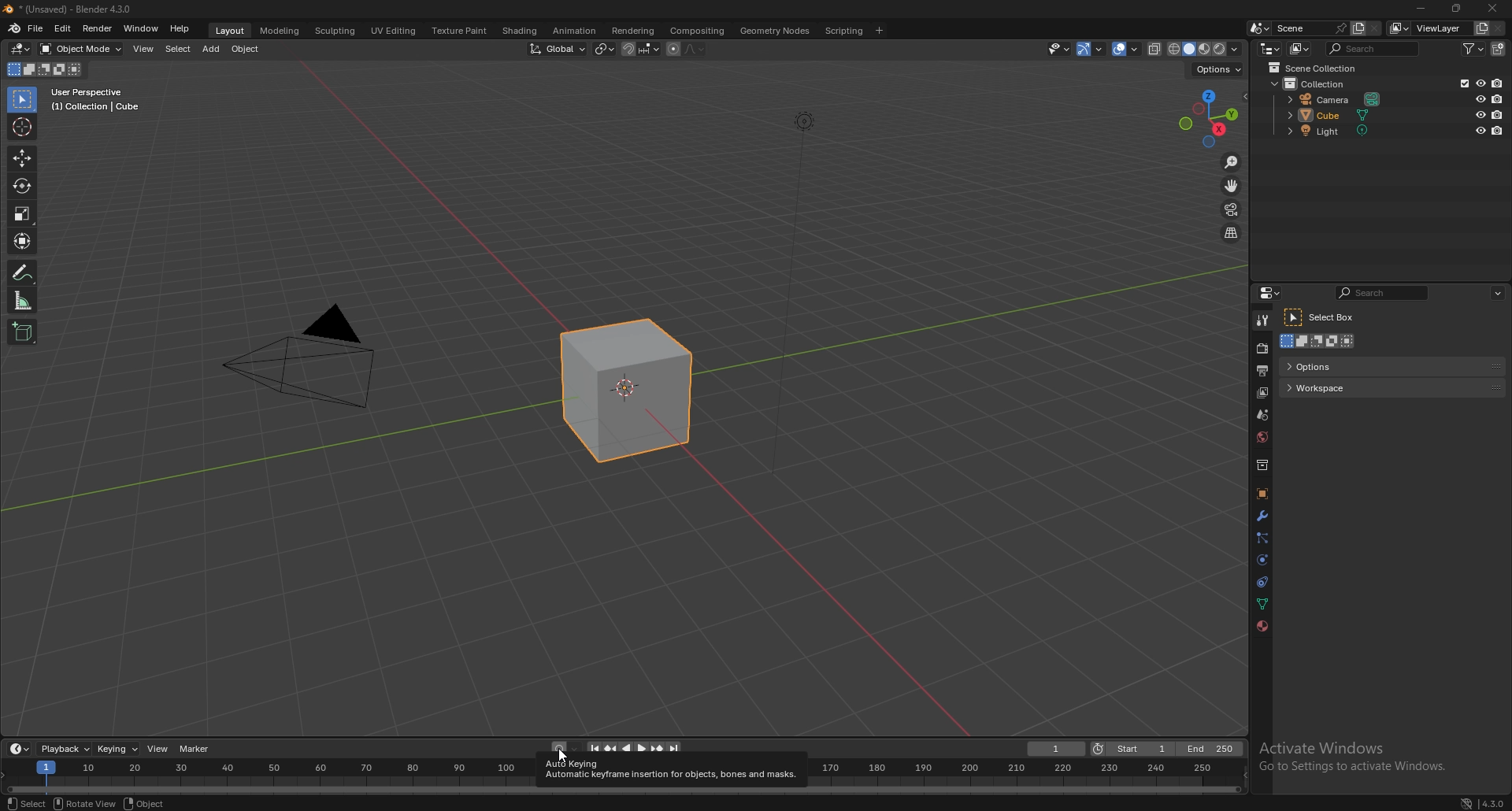 This screenshot has width=1512, height=811. I want to click on snapping, so click(641, 49).